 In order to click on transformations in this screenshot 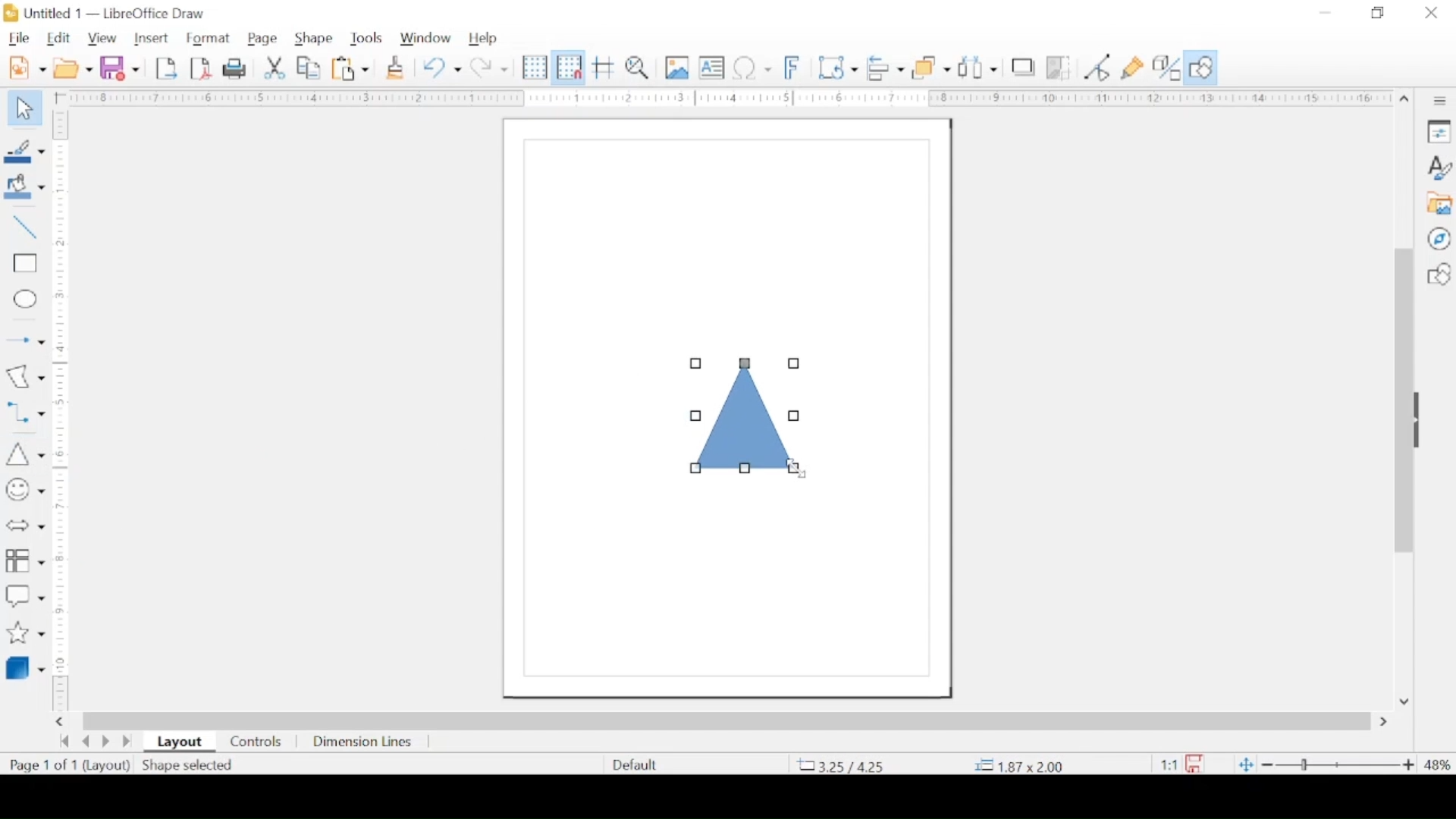, I will do `click(838, 66)`.